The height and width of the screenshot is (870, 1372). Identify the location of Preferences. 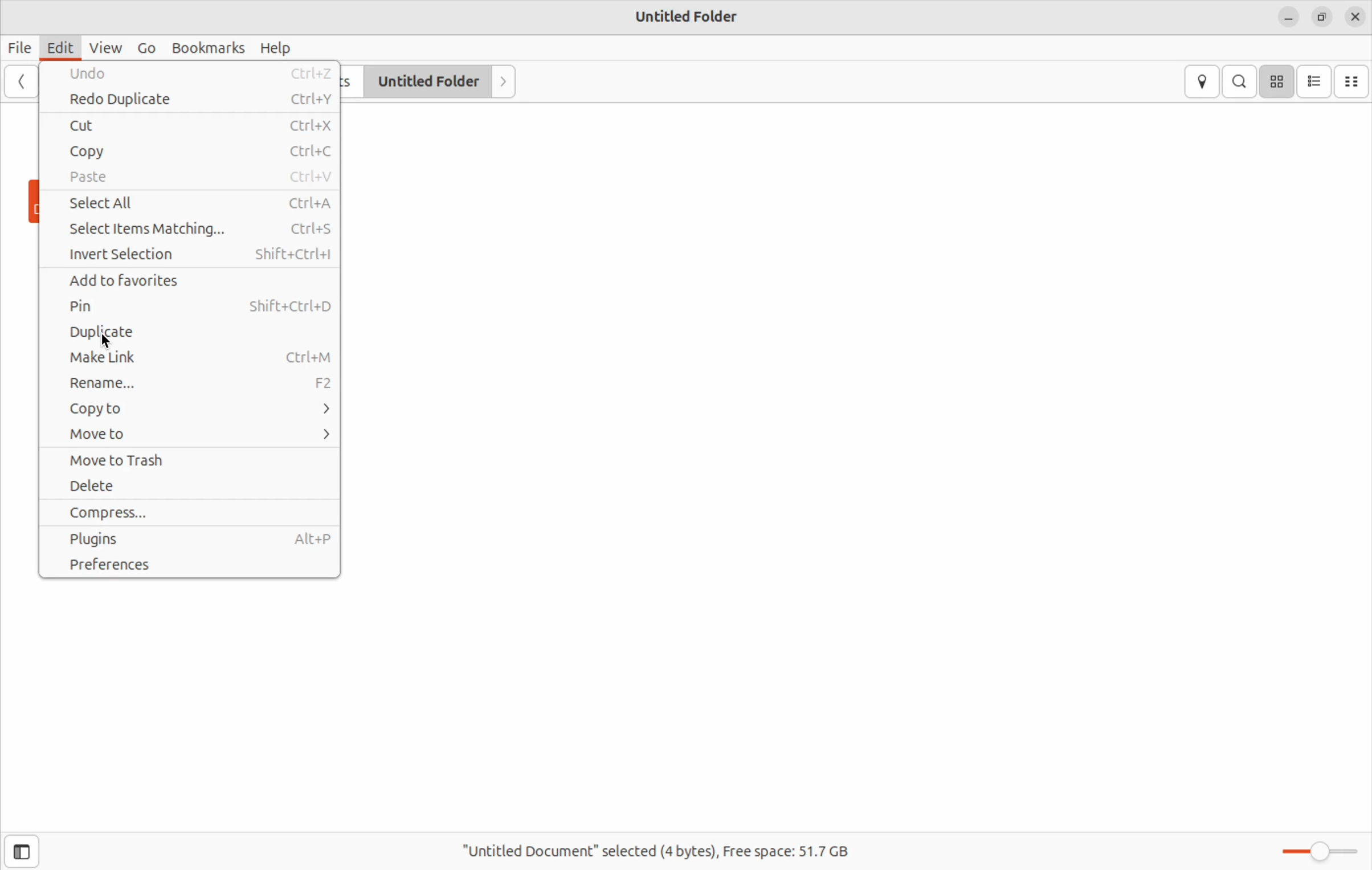
(190, 566).